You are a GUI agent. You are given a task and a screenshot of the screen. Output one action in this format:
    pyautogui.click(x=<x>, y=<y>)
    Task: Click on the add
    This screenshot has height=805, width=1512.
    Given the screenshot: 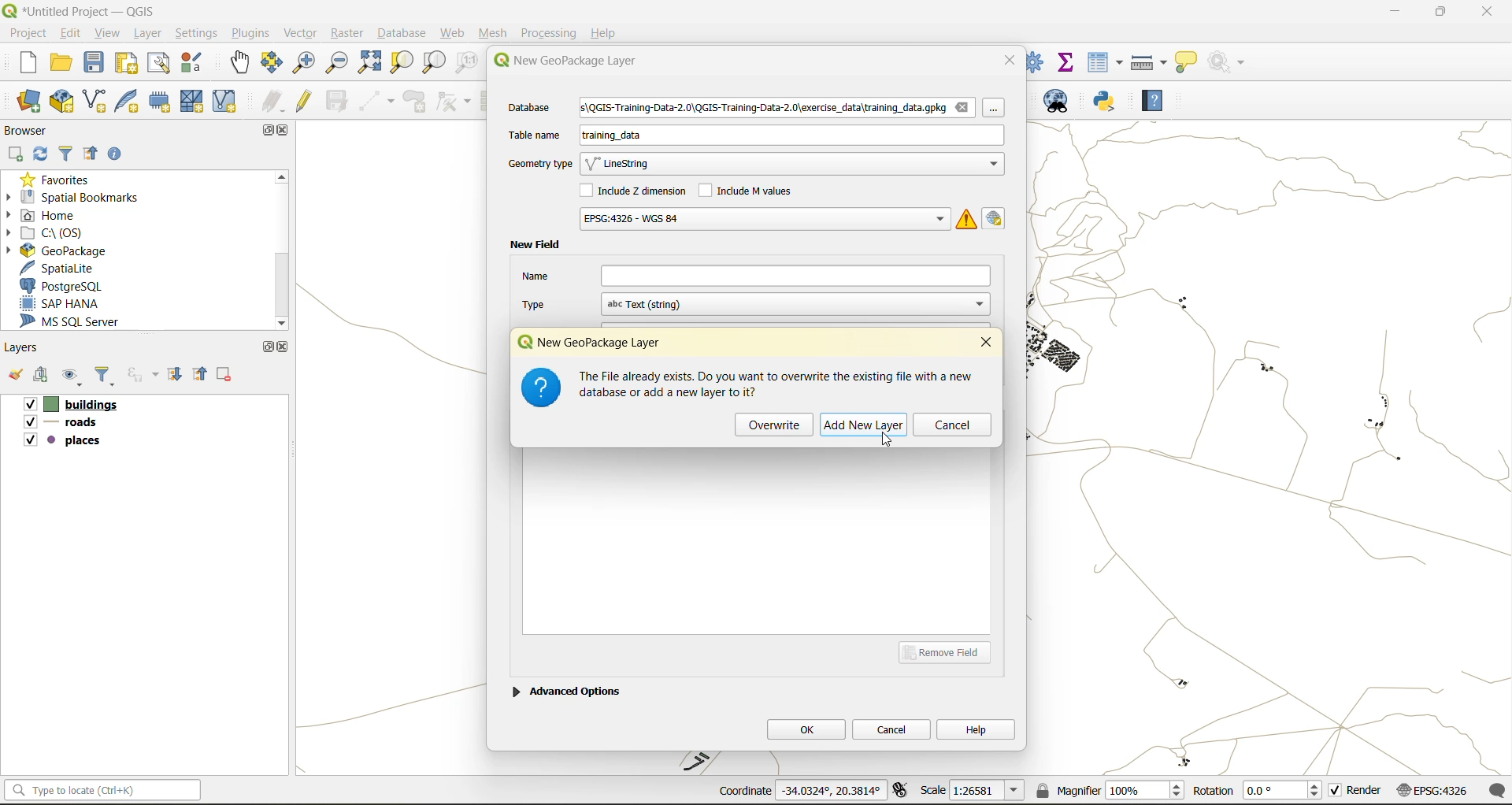 What is the action you would take?
    pyautogui.click(x=17, y=154)
    